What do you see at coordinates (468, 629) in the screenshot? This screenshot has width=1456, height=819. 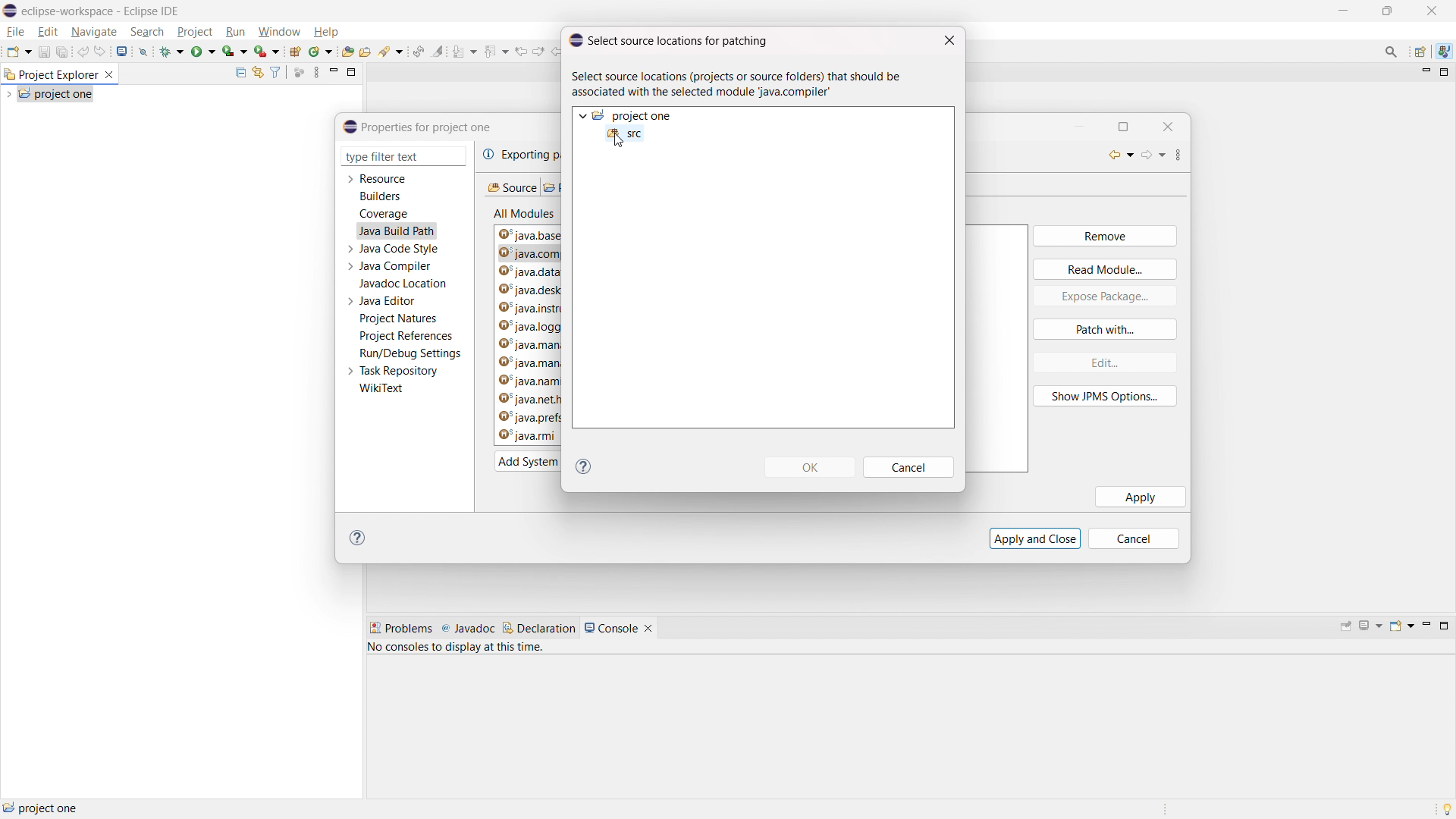 I see `javadoc` at bounding box center [468, 629].